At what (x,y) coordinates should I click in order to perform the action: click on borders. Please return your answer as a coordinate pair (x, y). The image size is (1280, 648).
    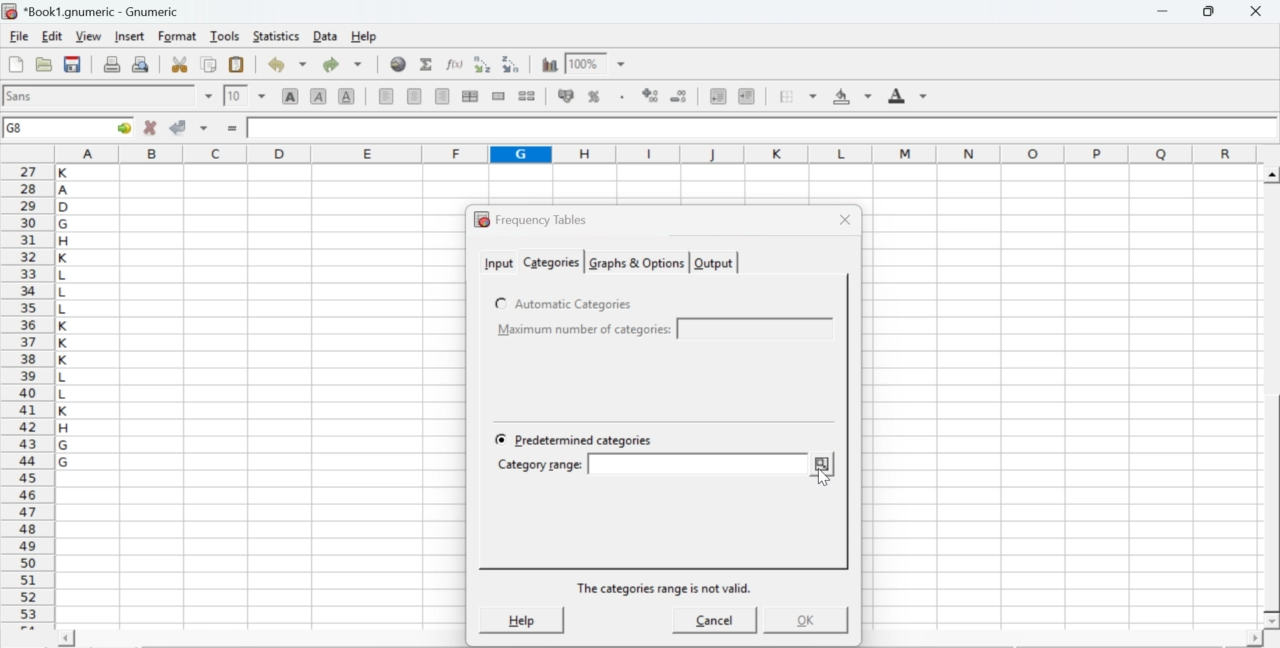
    Looking at the image, I should click on (799, 96).